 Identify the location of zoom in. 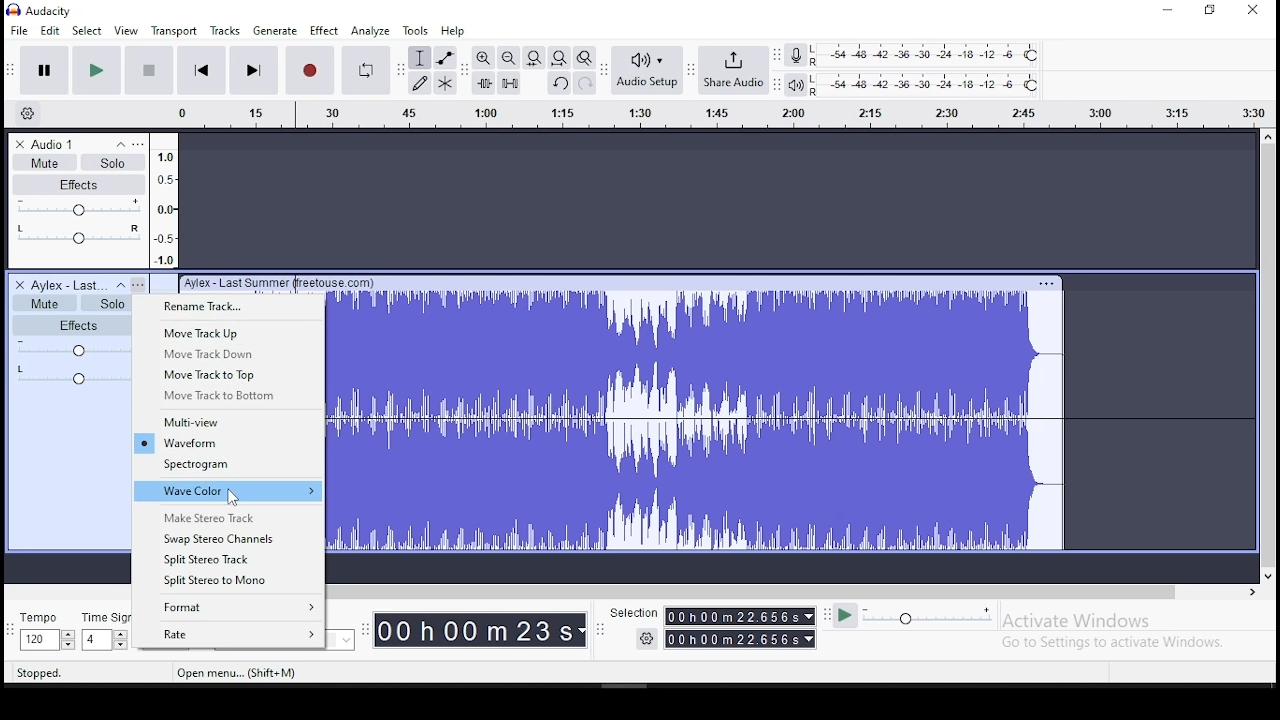
(482, 58).